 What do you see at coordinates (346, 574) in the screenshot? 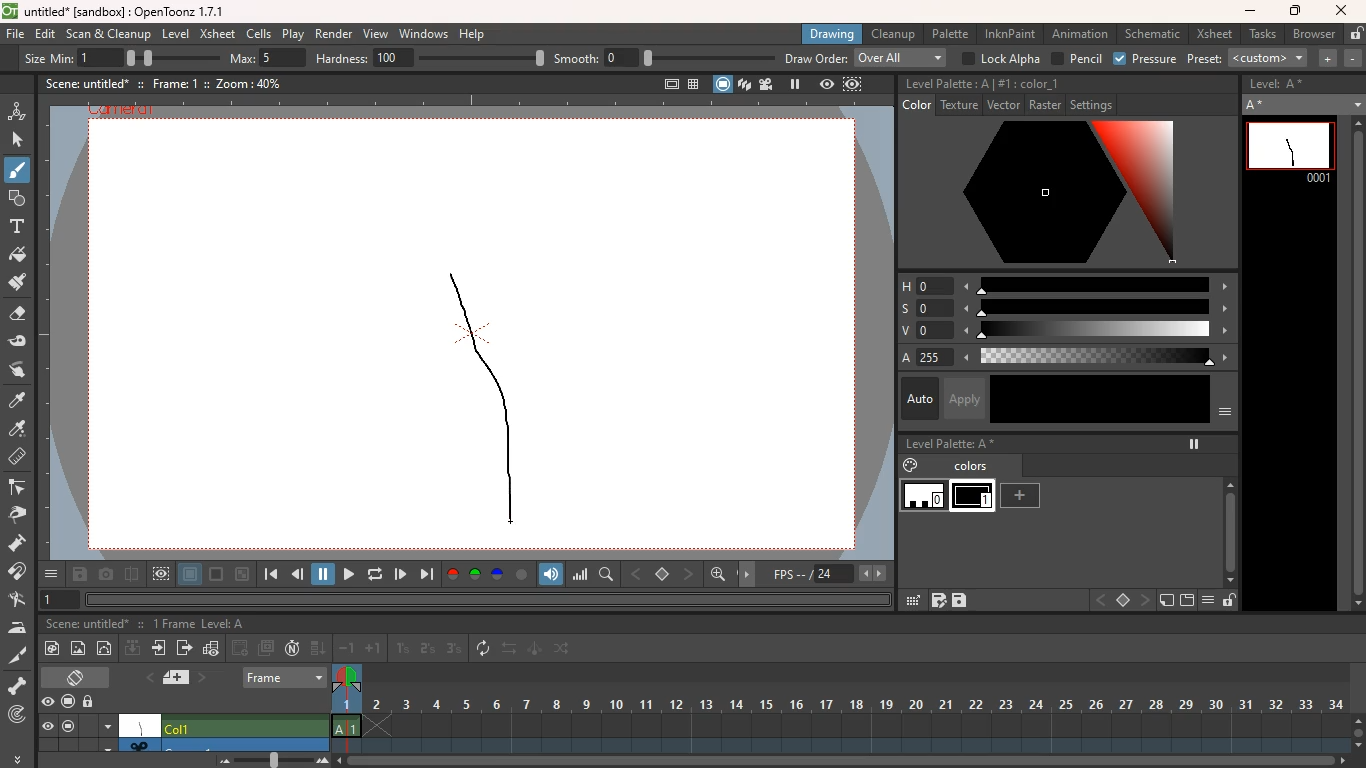
I see `forward` at bounding box center [346, 574].